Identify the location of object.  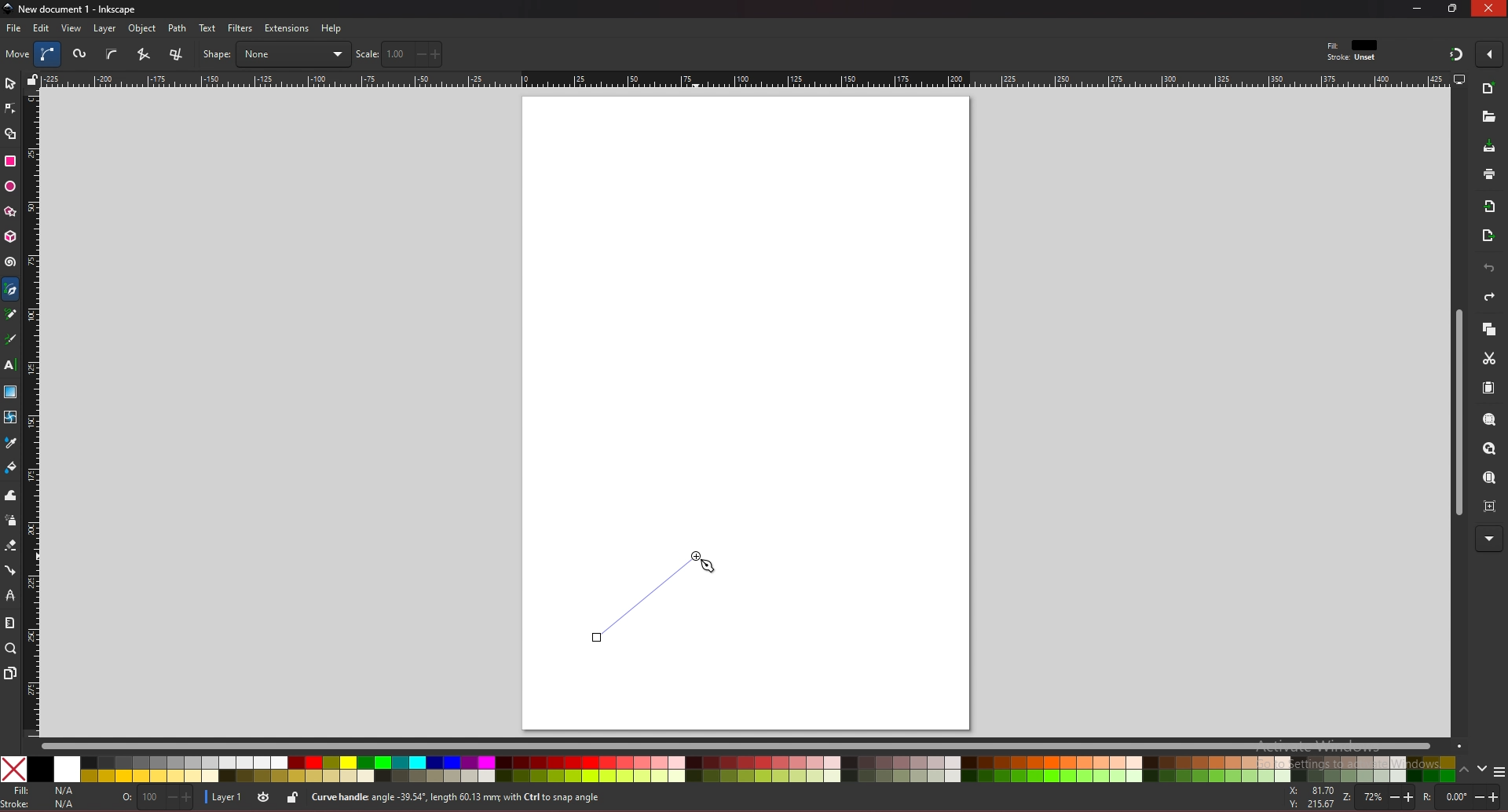
(145, 29).